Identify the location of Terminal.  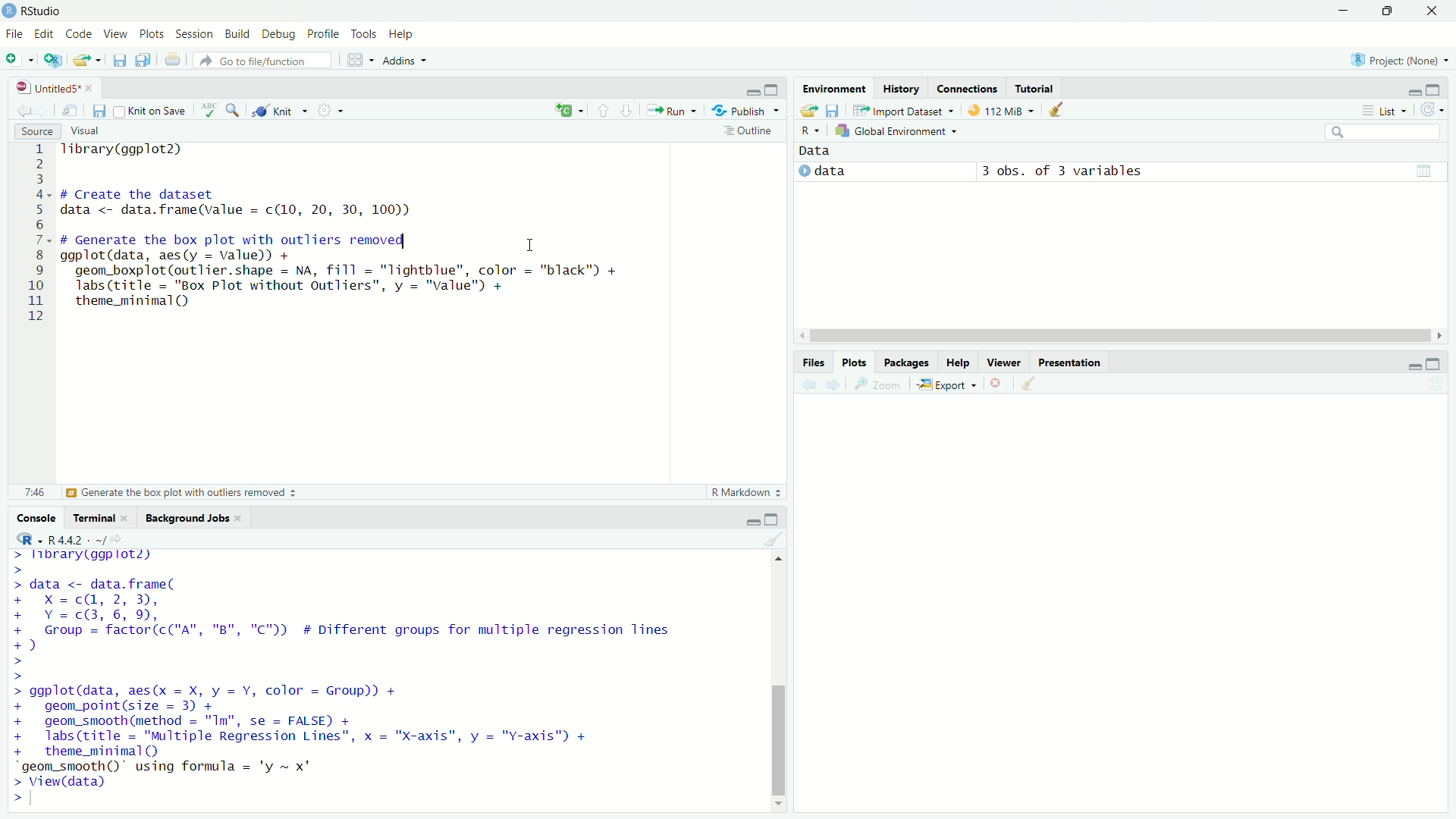
(96, 519).